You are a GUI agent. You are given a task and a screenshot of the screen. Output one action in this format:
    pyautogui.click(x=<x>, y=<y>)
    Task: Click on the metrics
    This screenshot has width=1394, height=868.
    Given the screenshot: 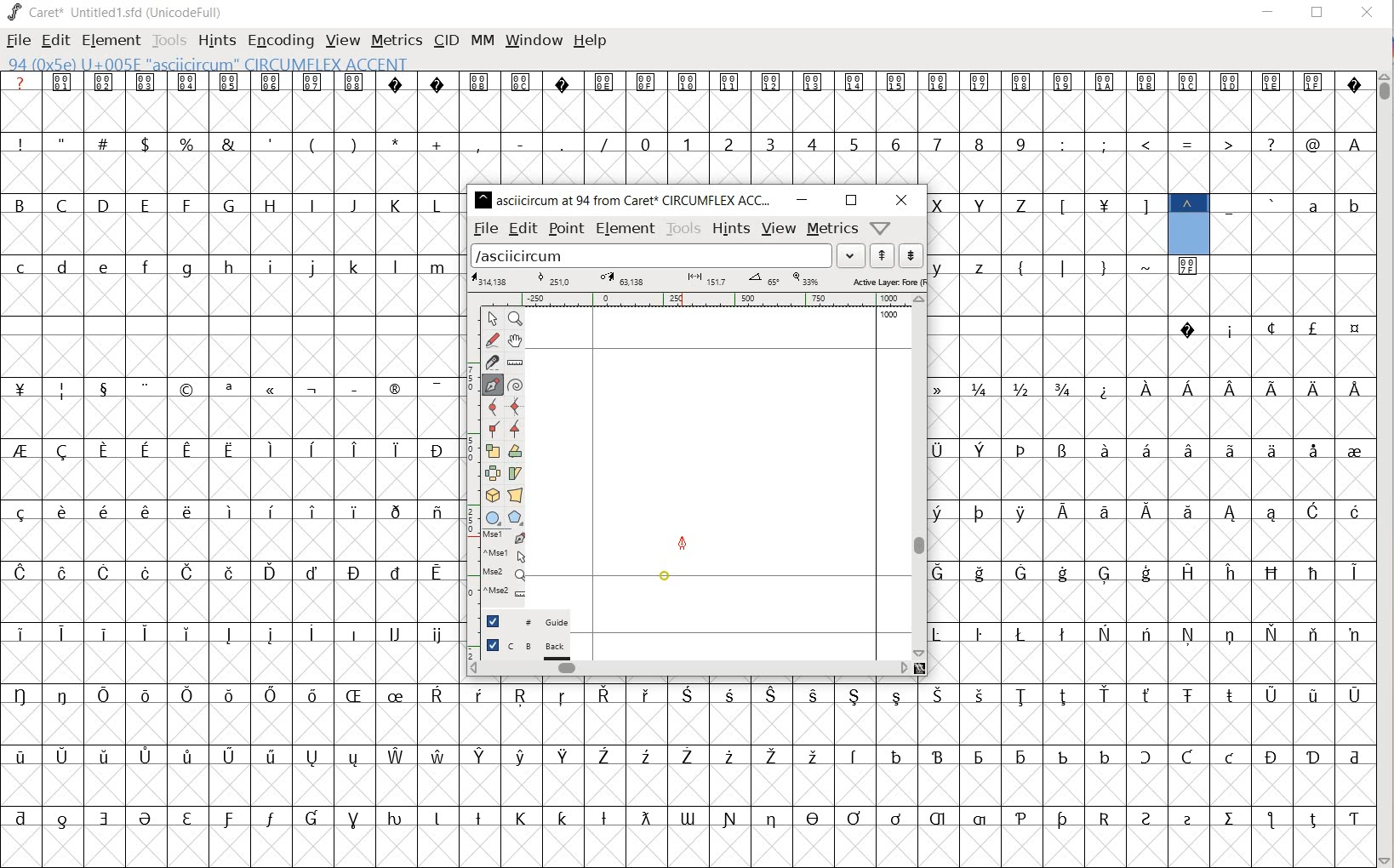 What is the action you would take?
    pyautogui.click(x=833, y=229)
    